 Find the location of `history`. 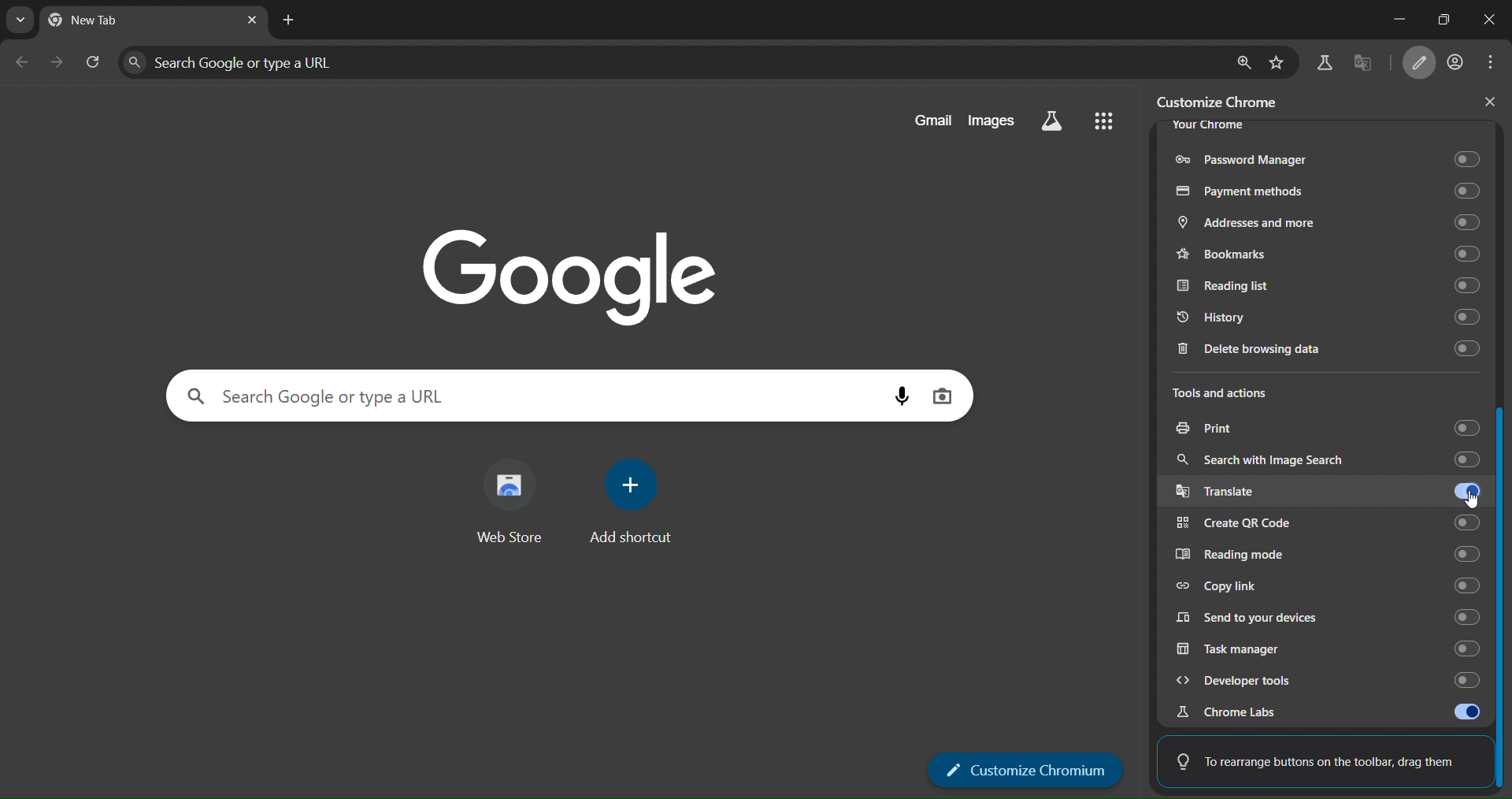

history is located at coordinates (1333, 317).